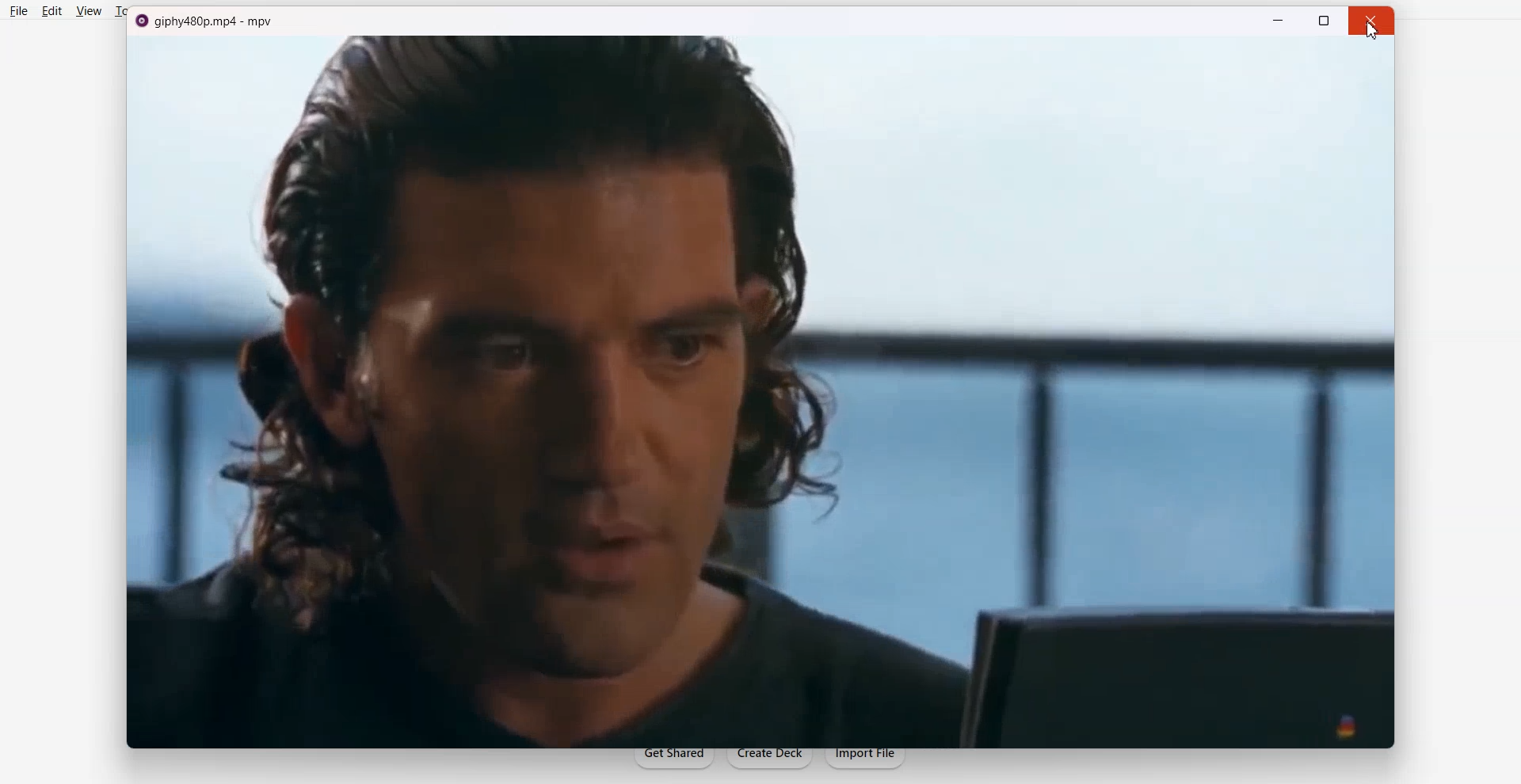 The height and width of the screenshot is (784, 1521). I want to click on Edit, so click(51, 12).